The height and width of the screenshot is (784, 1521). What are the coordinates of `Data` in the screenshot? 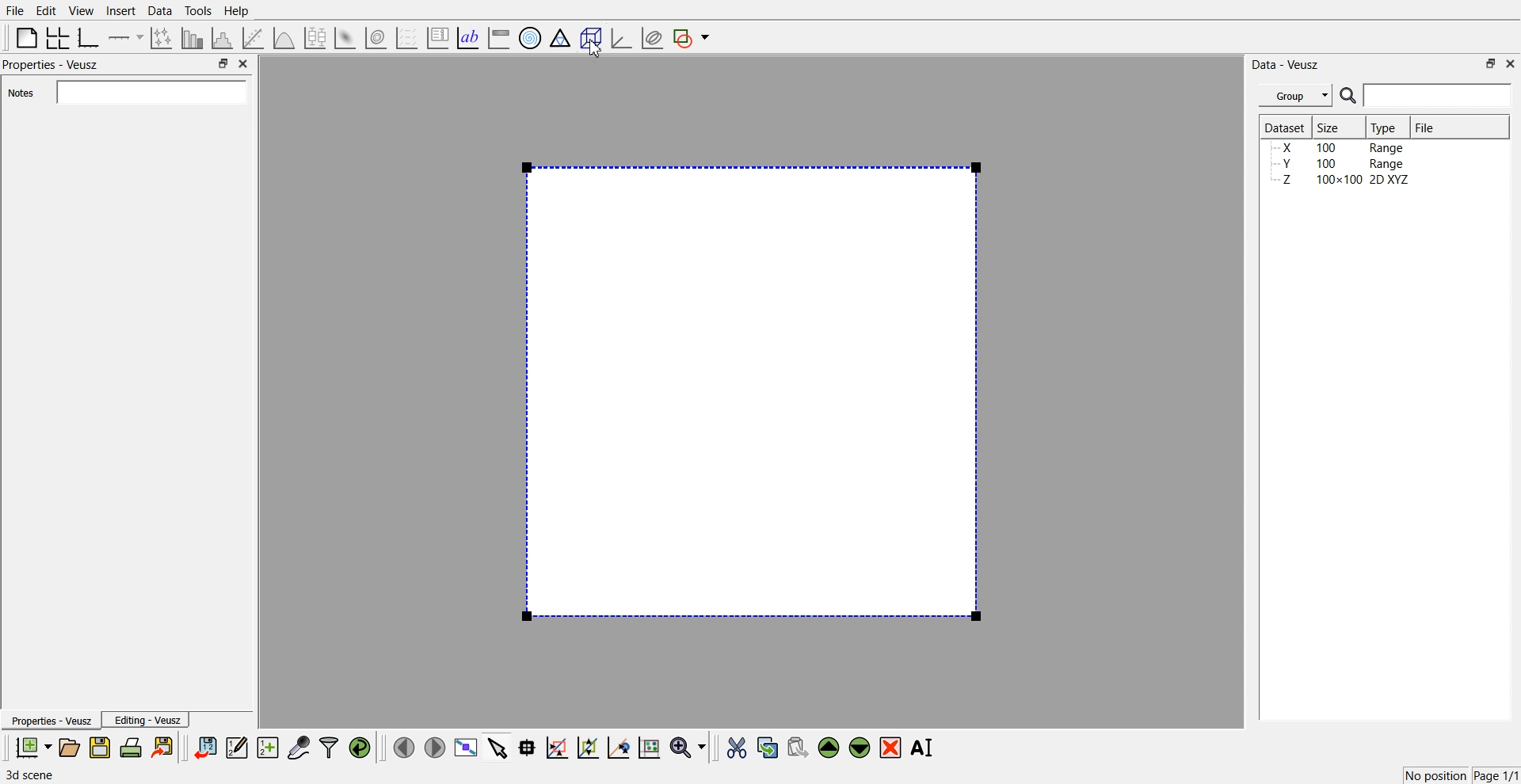 It's located at (162, 11).